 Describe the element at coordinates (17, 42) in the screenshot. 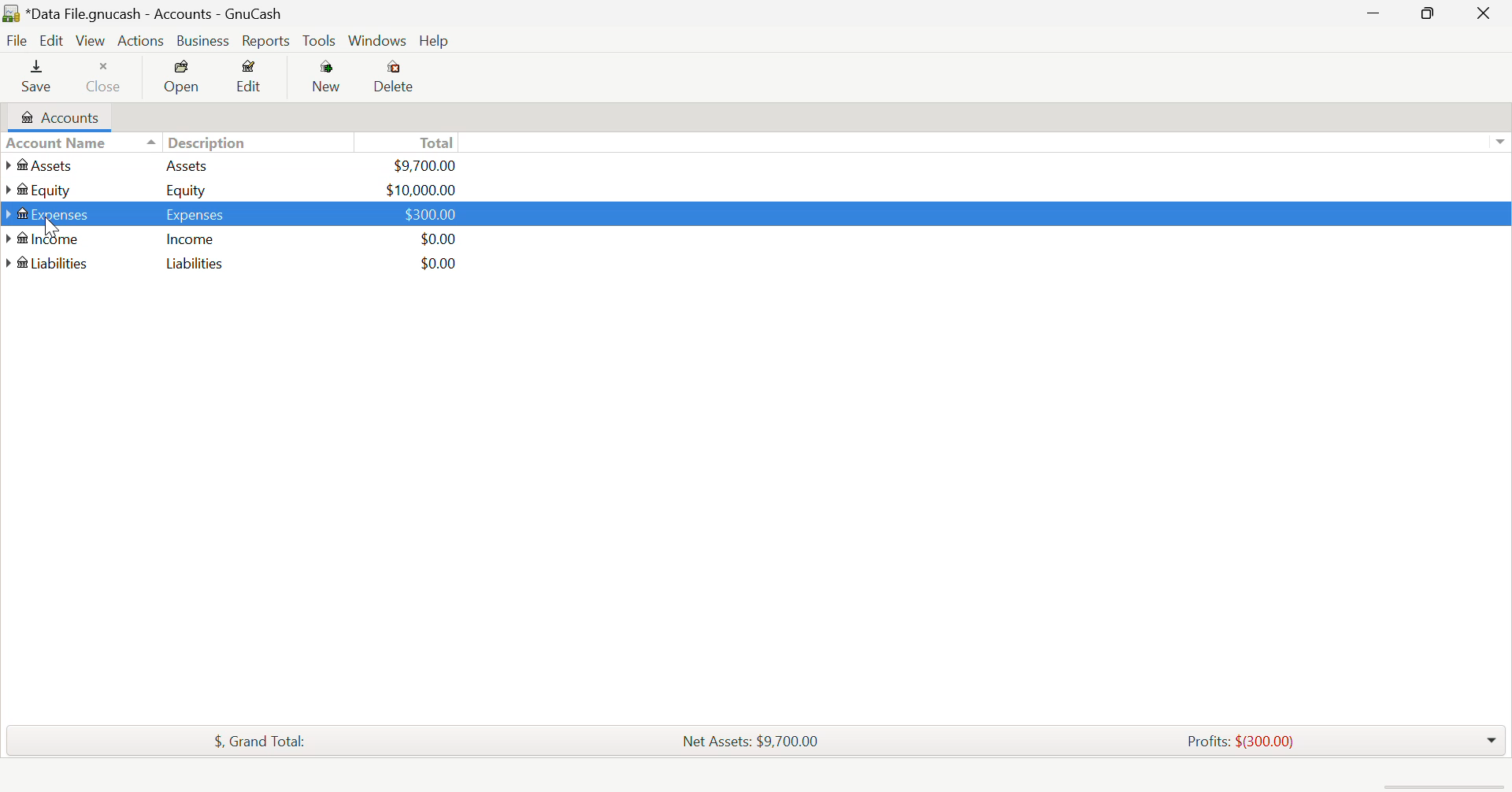

I see `File` at that location.